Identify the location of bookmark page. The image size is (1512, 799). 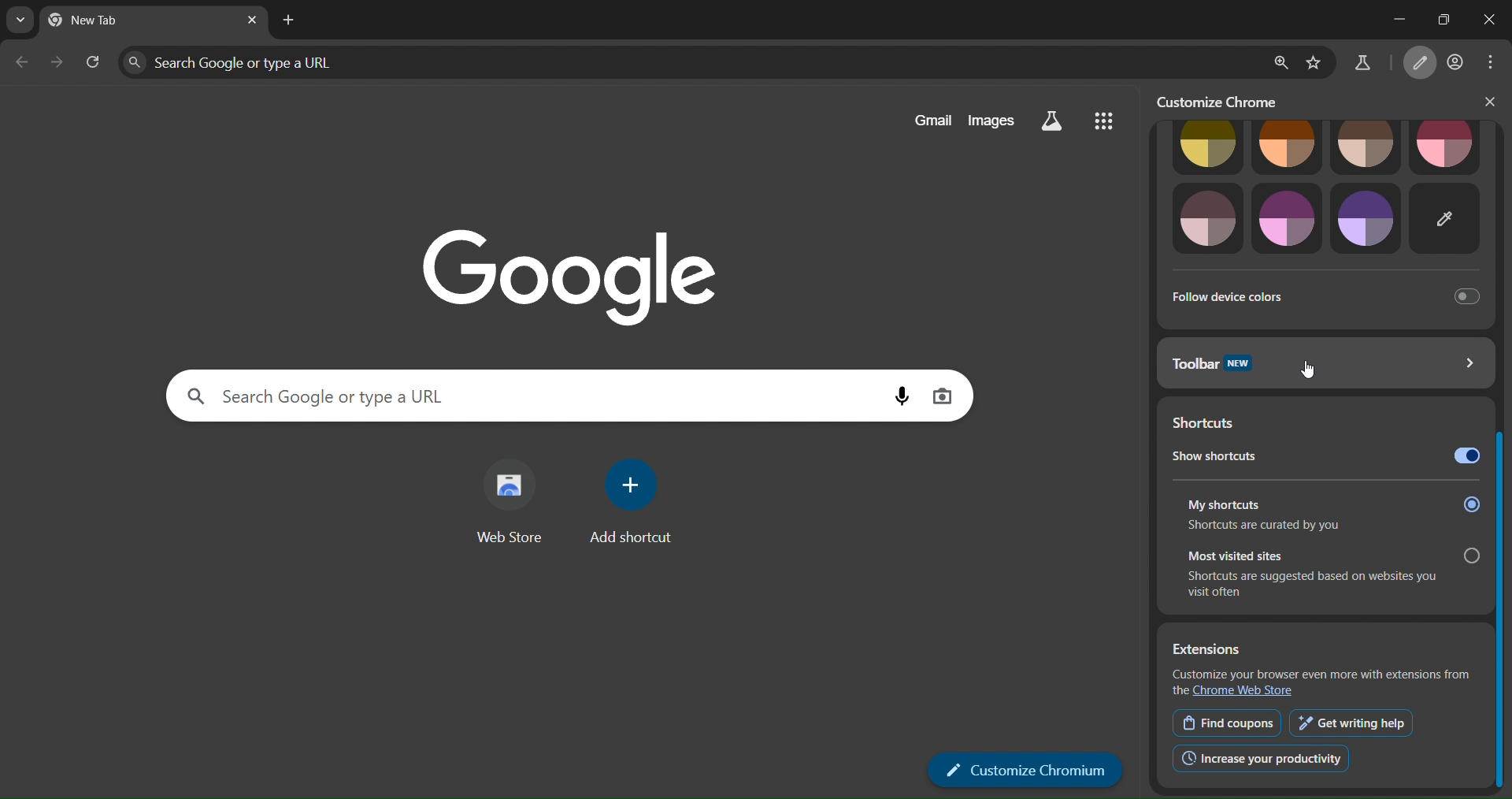
(1318, 59).